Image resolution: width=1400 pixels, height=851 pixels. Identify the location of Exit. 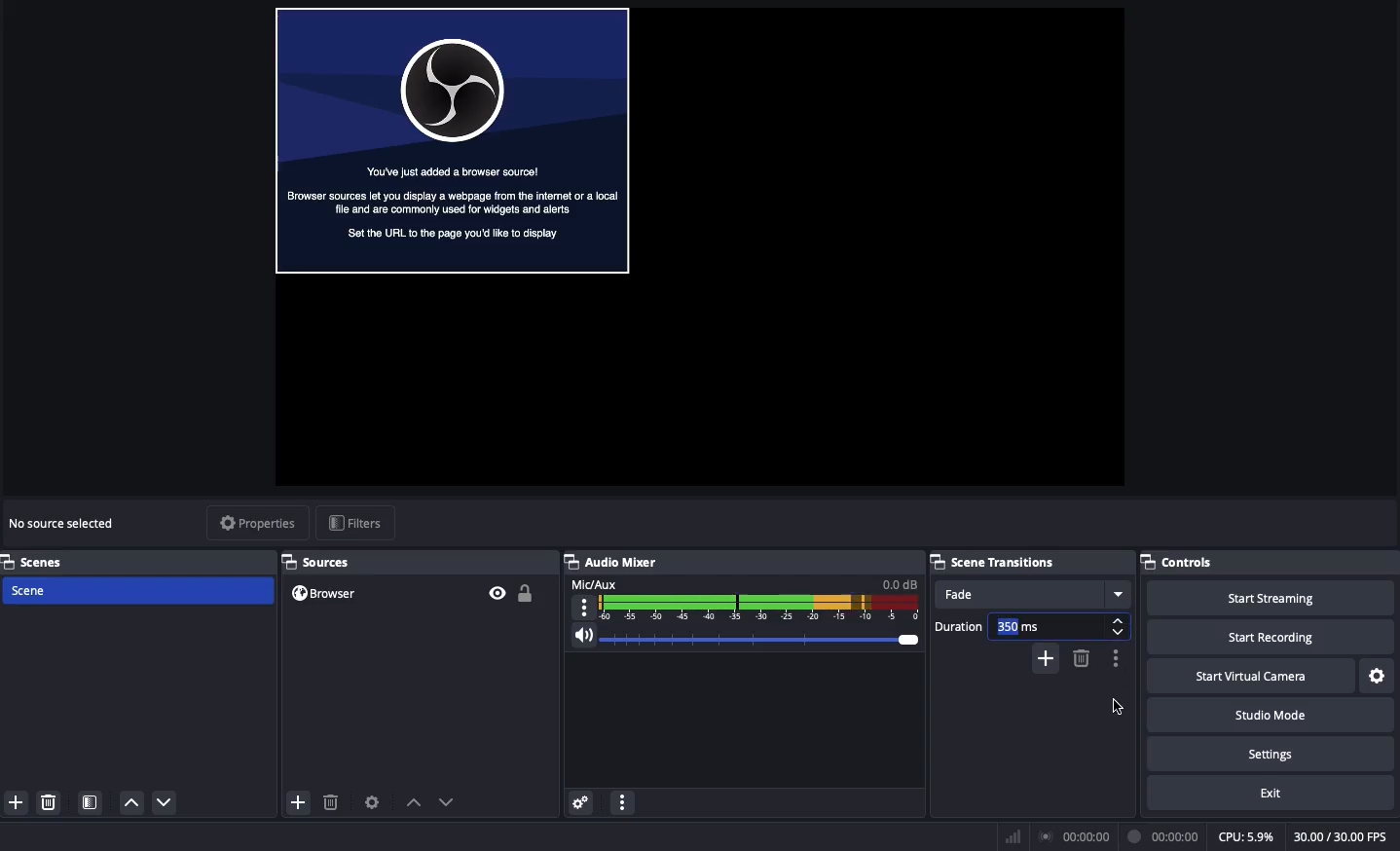
(1270, 793).